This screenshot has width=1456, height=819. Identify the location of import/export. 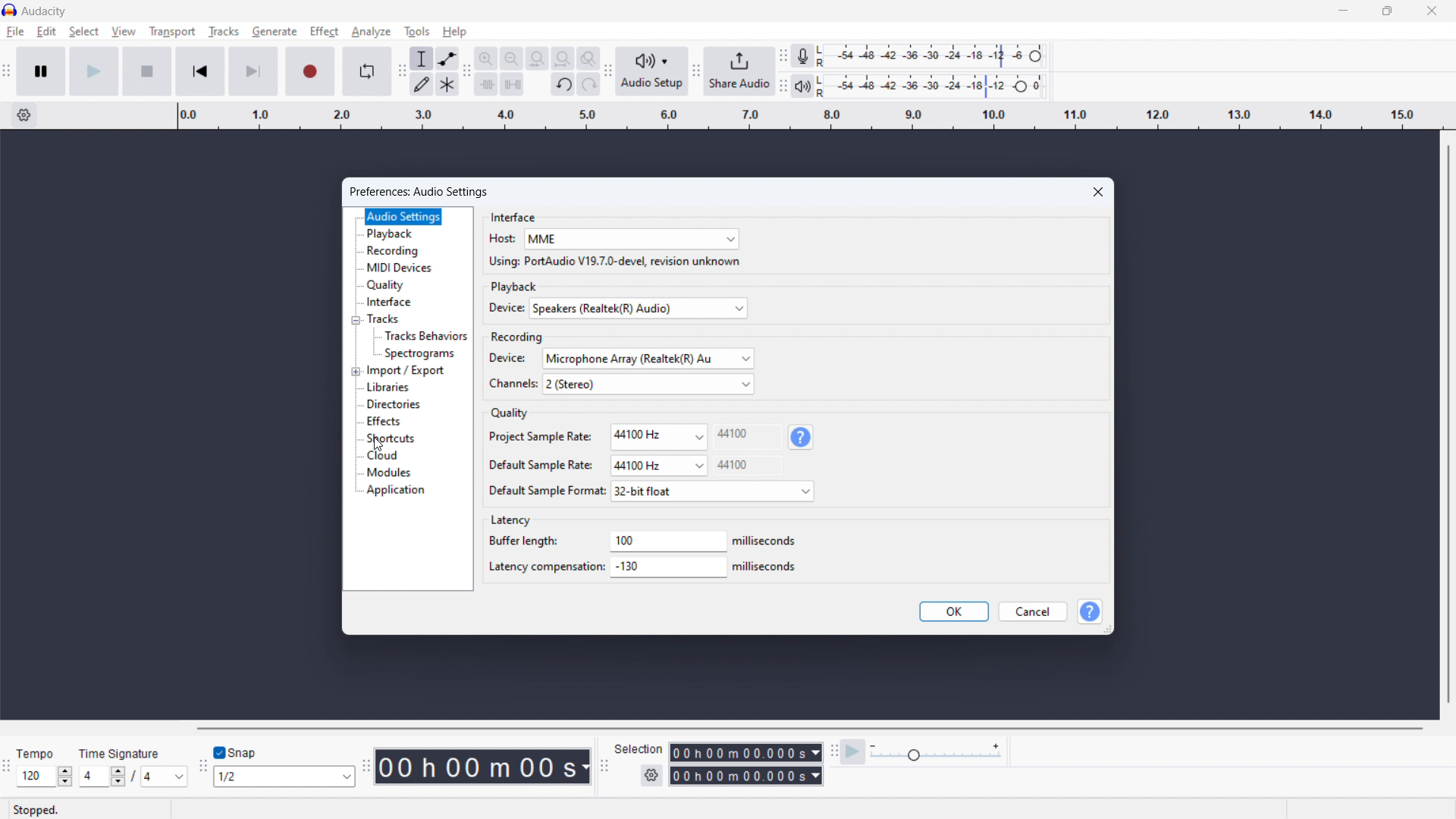
(406, 372).